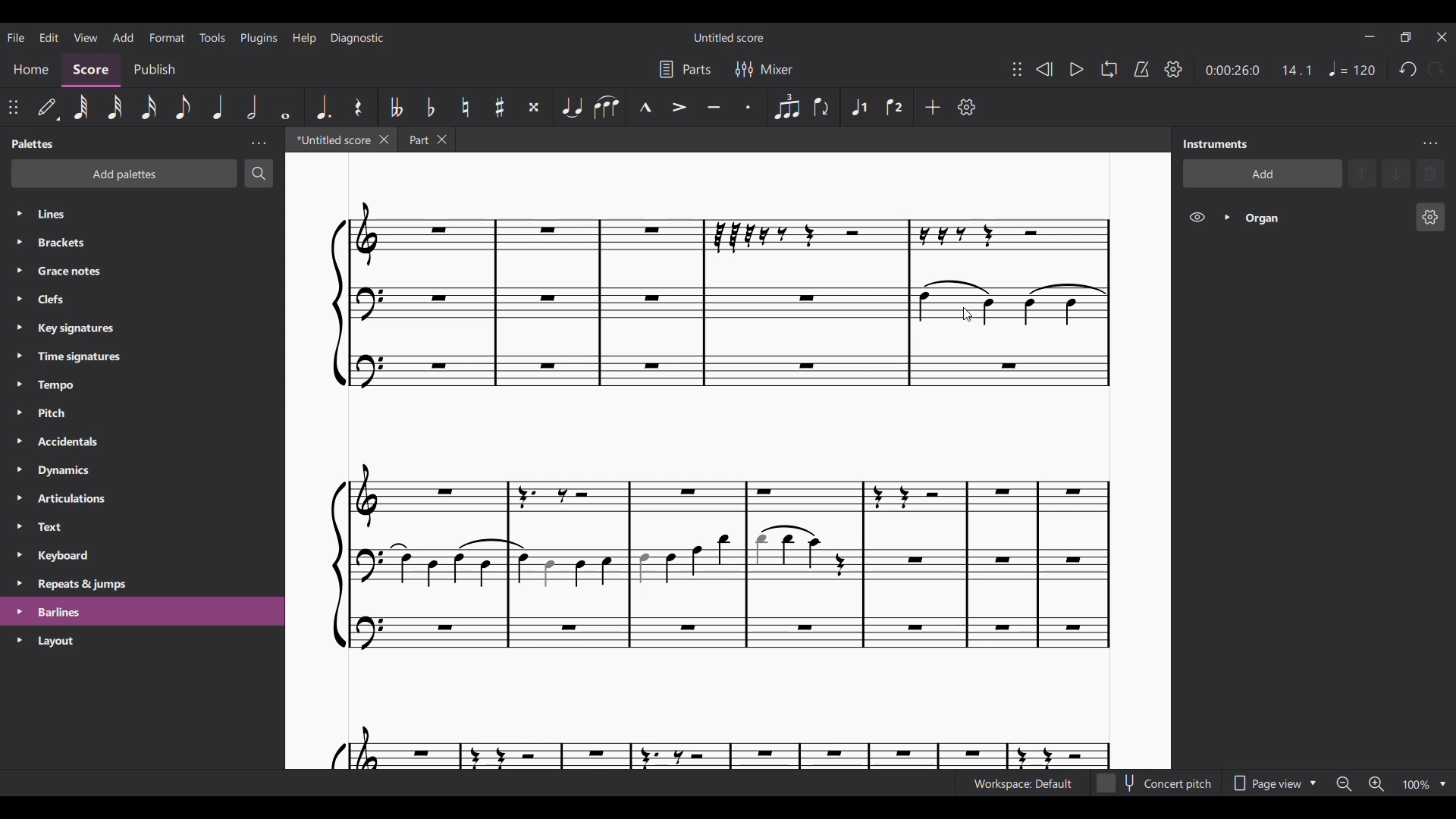  I want to click on Current workspace settings, so click(1023, 783).